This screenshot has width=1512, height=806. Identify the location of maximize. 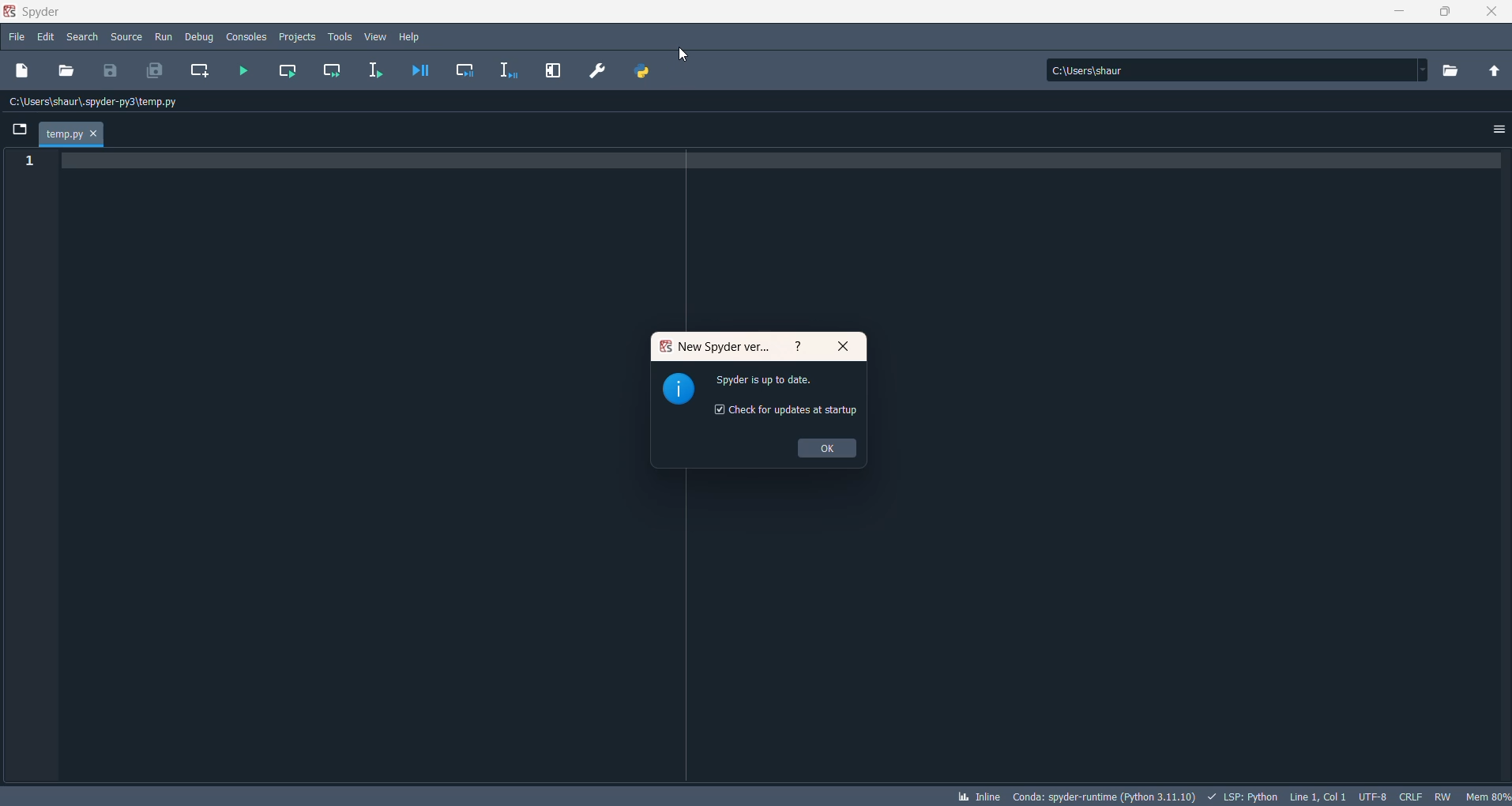
(1446, 13).